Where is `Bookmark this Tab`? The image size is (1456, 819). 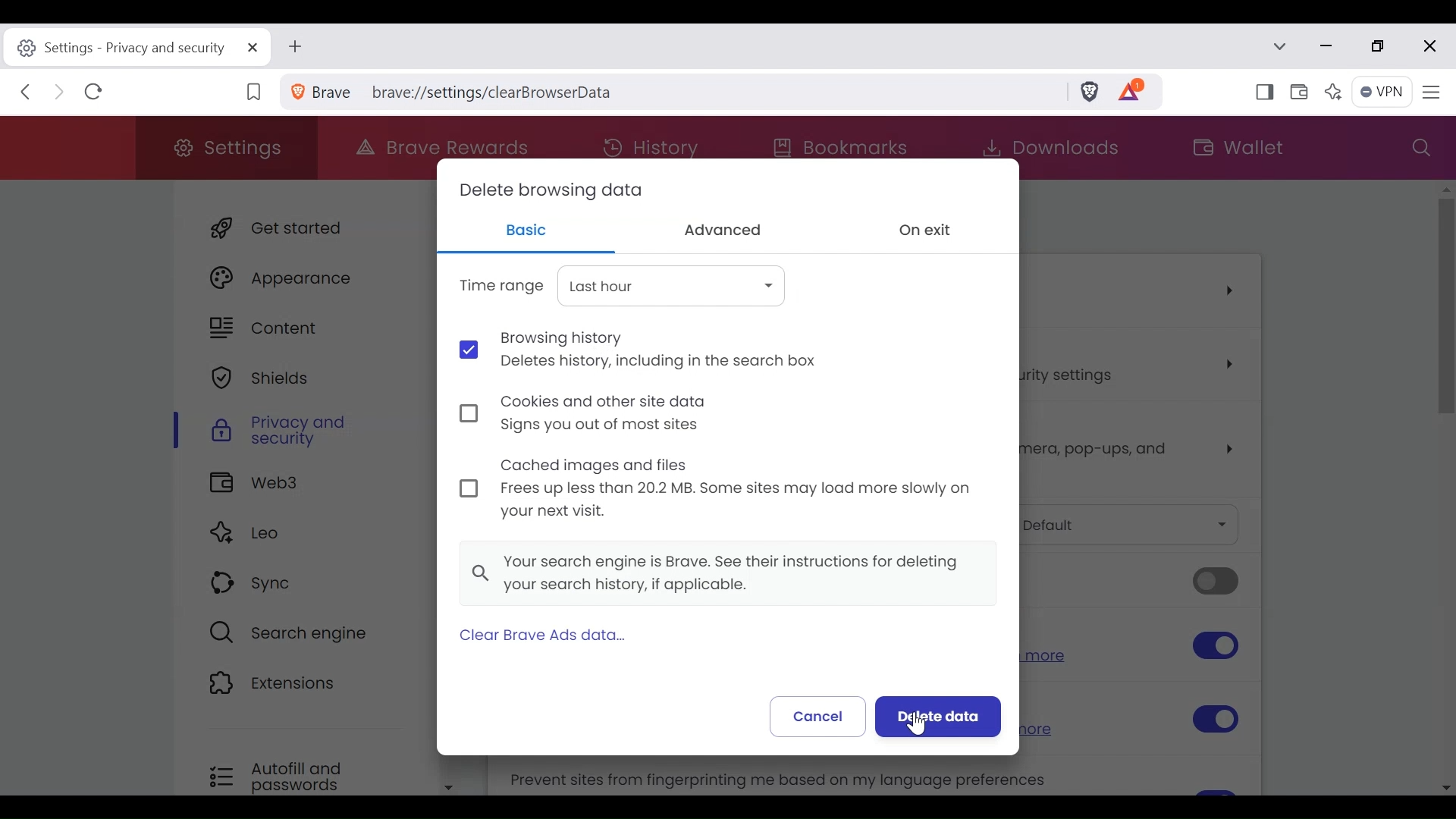
Bookmark this Tab is located at coordinates (256, 92).